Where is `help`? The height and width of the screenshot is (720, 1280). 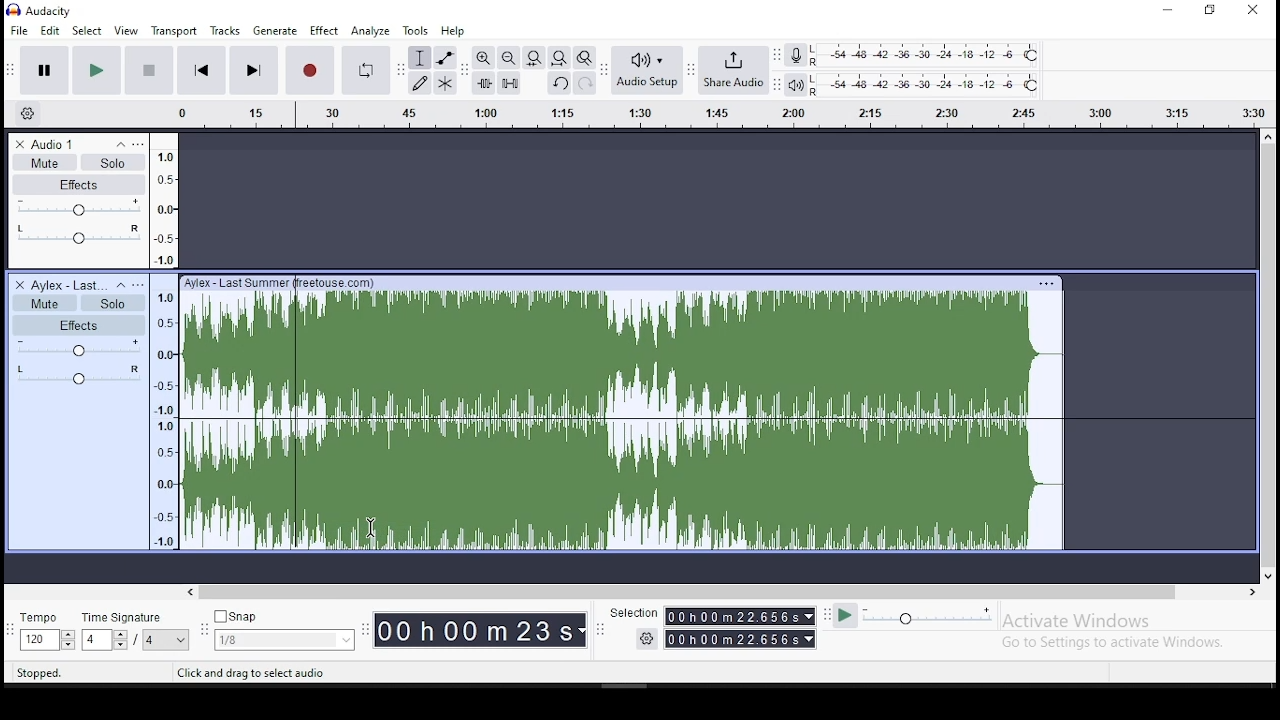 help is located at coordinates (452, 31).